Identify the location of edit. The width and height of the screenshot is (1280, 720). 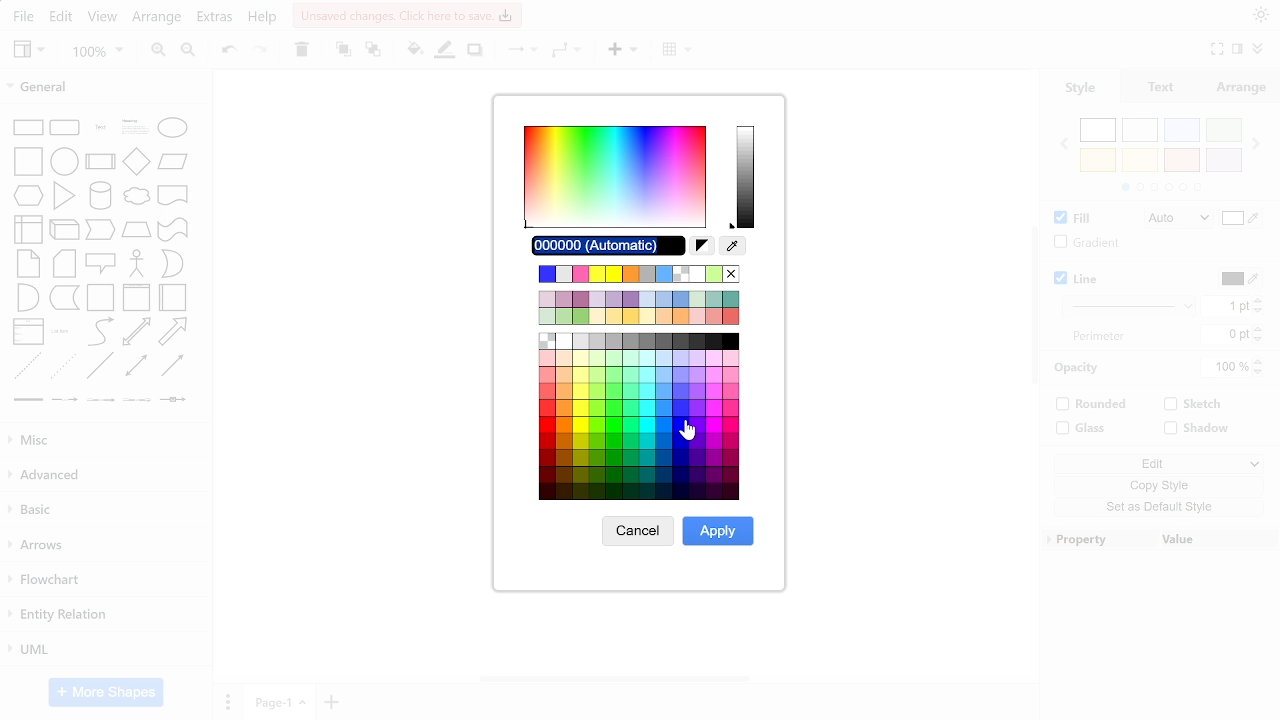
(62, 17).